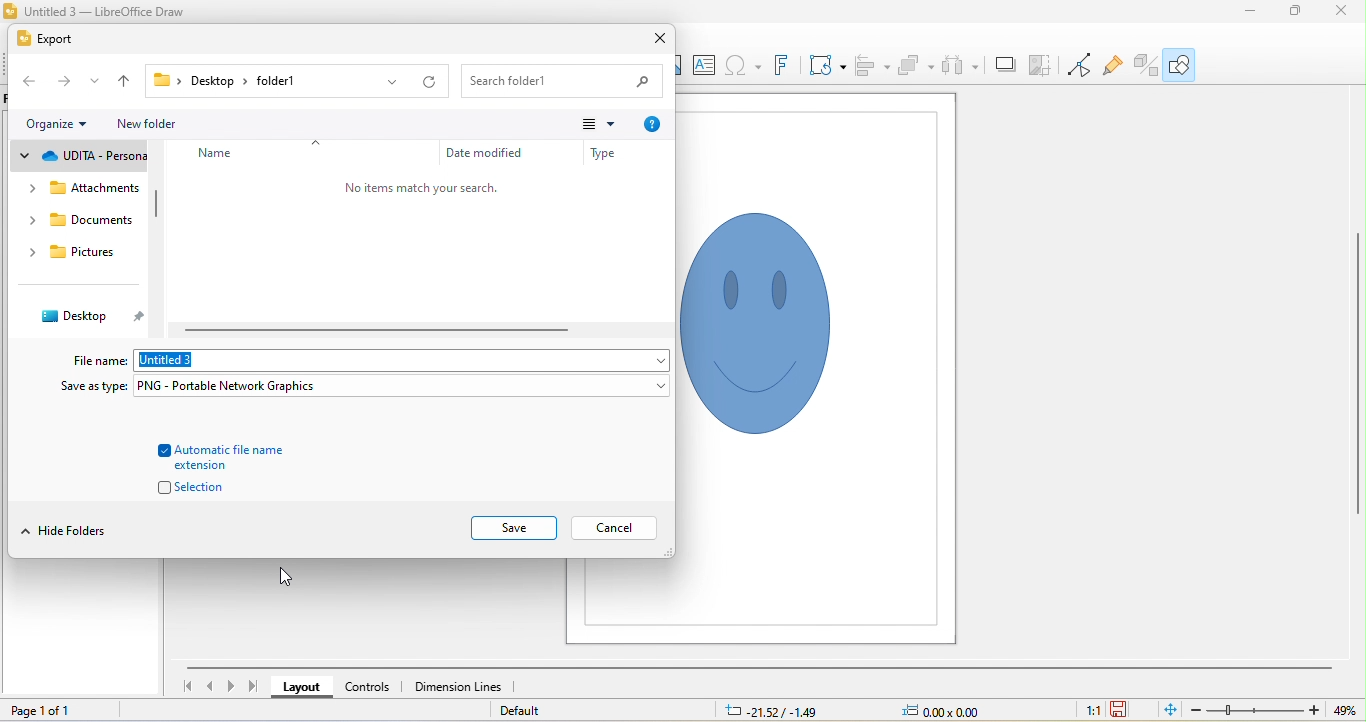 This screenshot has width=1366, height=722. What do you see at coordinates (142, 319) in the screenshot?
I see `pin` at bounding box center [142, 319].